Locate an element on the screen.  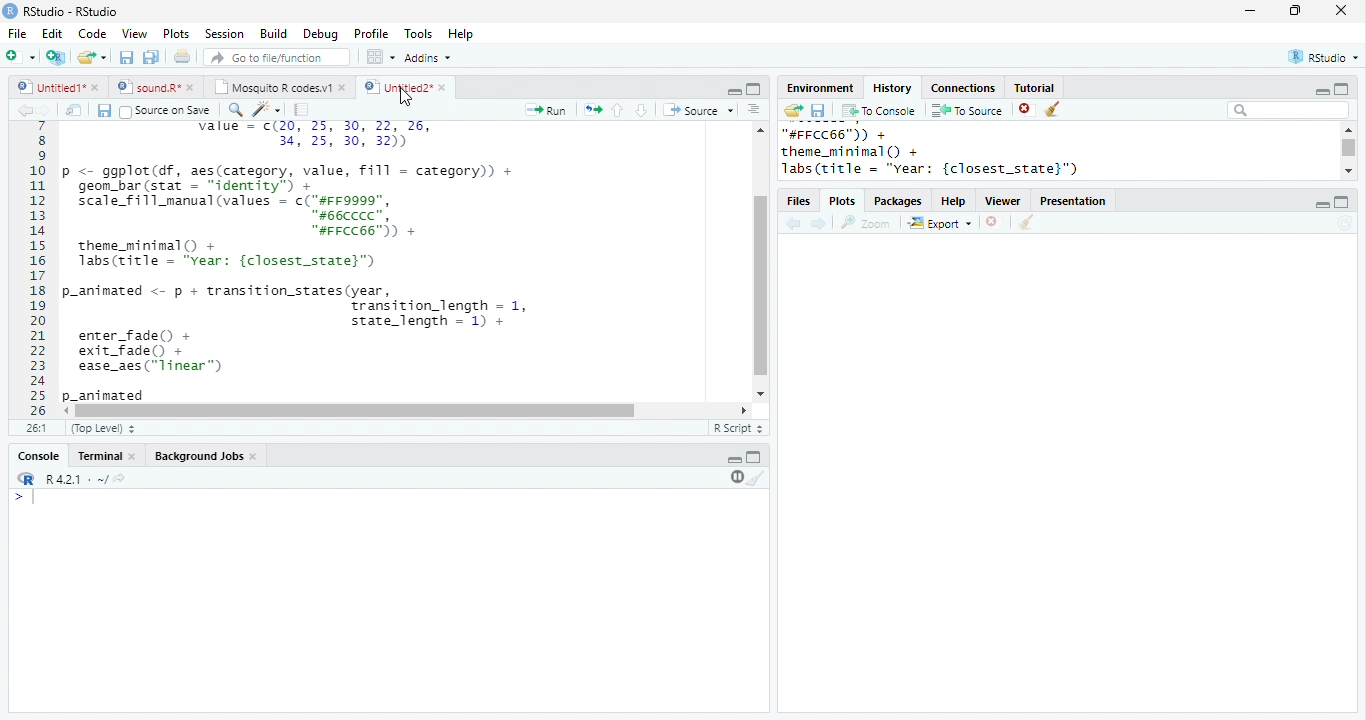
Profile is located at coordinates (372, 34).